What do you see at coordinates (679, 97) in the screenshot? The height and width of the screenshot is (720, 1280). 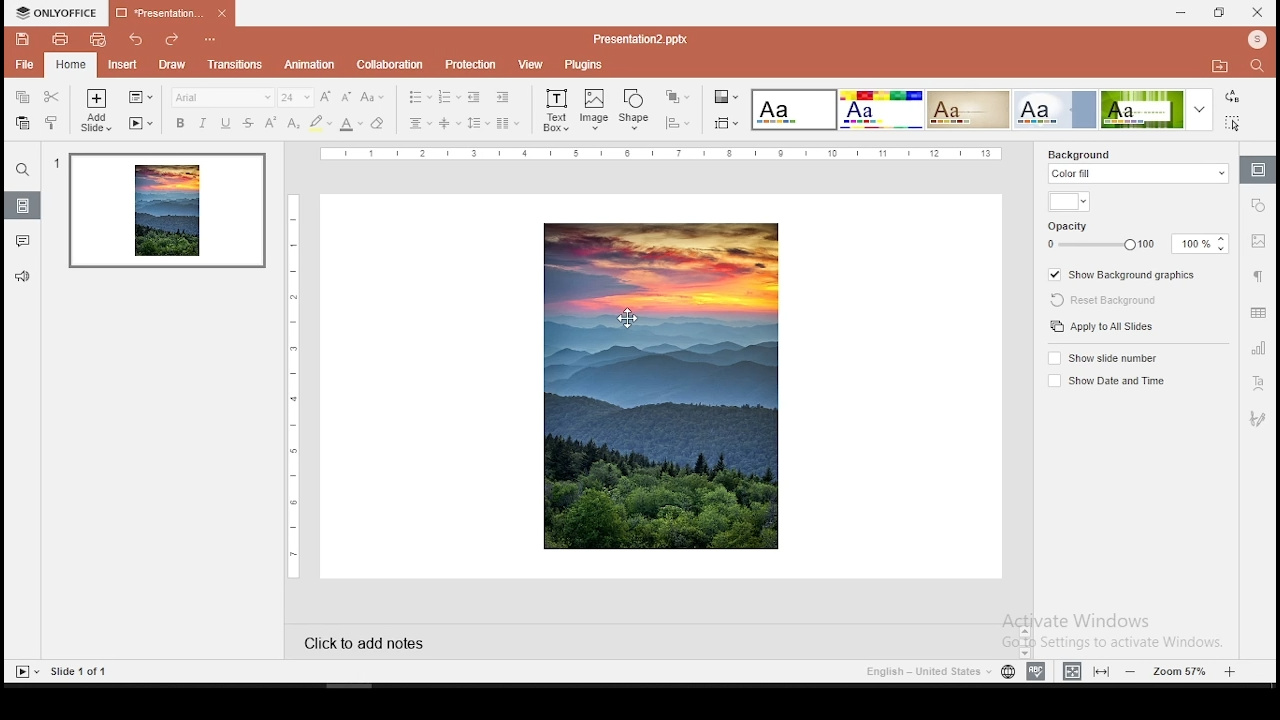 I see `arrange objects` at bounding box center [679, 97].